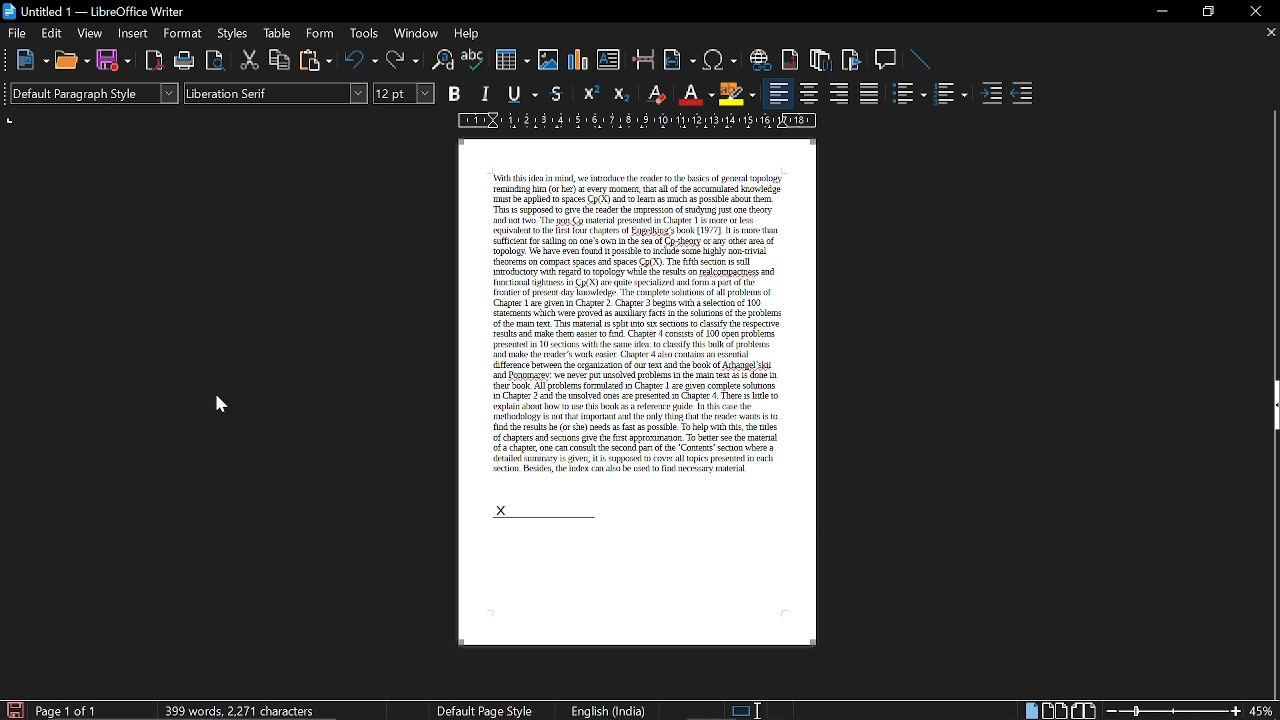 This screenshot has width=1280, height=720. Describe the element at coordinates (404, 94) in the screenshot. I see `text size` at that location.